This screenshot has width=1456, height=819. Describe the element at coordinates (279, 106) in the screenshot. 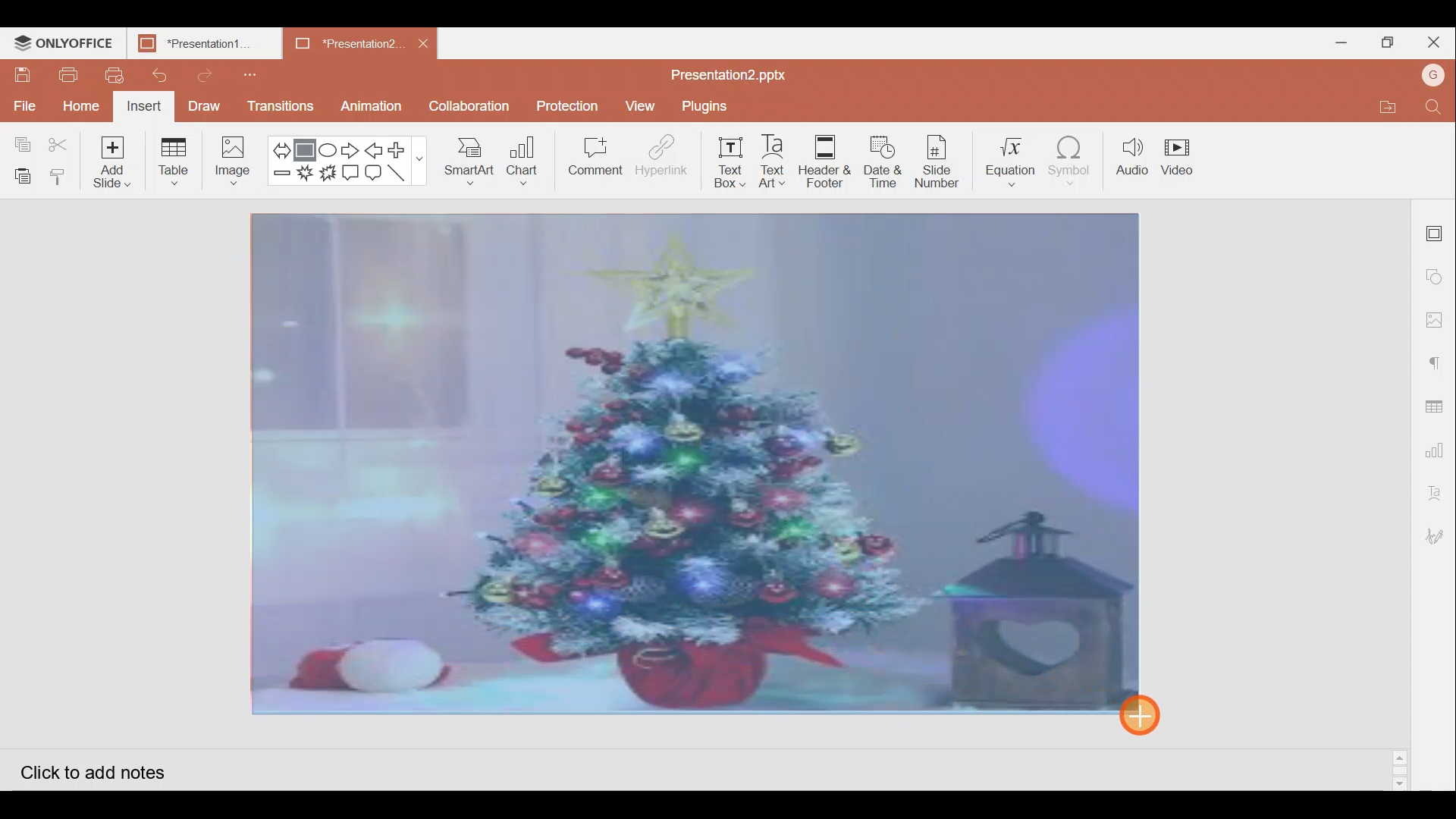

I see `Transitions` at that location.